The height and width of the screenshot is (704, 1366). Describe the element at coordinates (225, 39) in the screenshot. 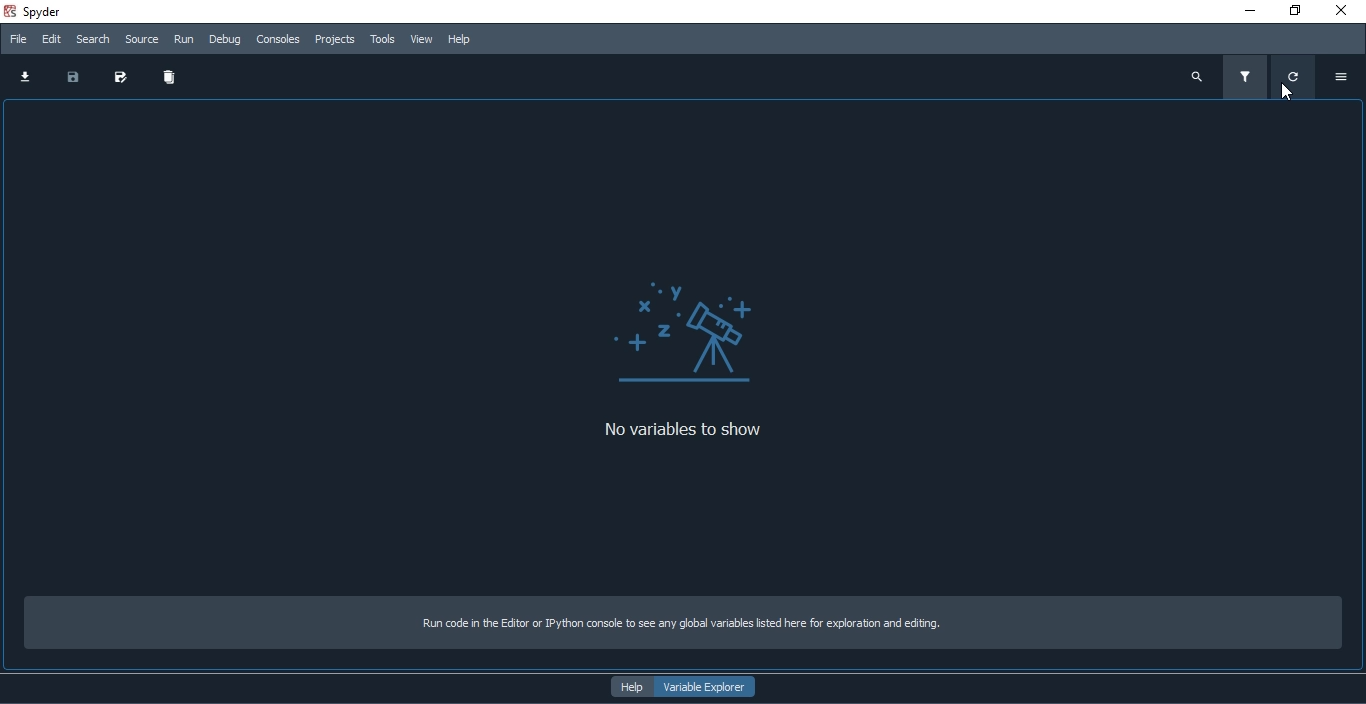

I see `Debug` at that location.